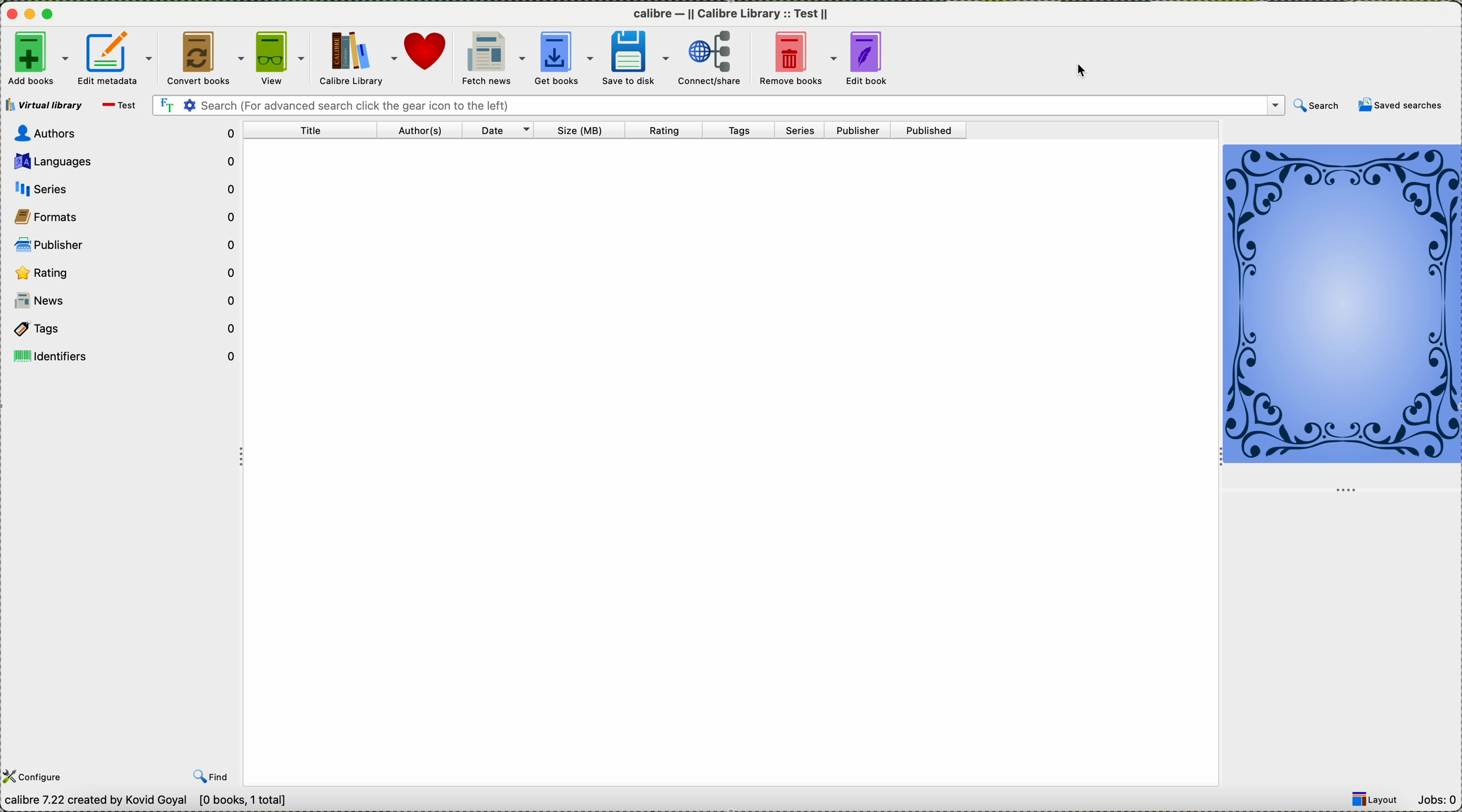 The height and width of the screenshot is (812, 1462). I want to click on edit book, so click(875, 58).